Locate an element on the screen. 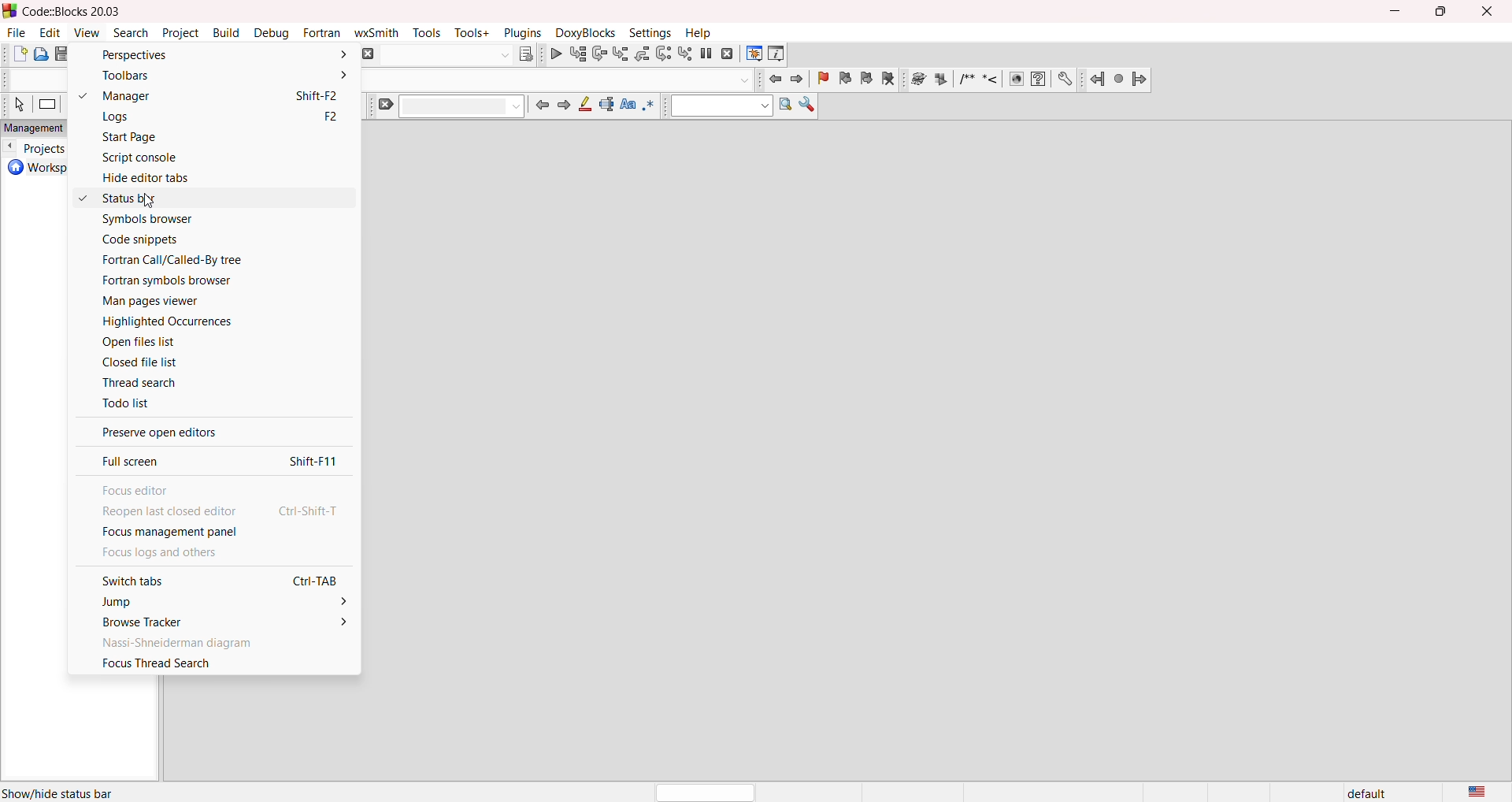  toolbars is located at coordinates (210, 76).